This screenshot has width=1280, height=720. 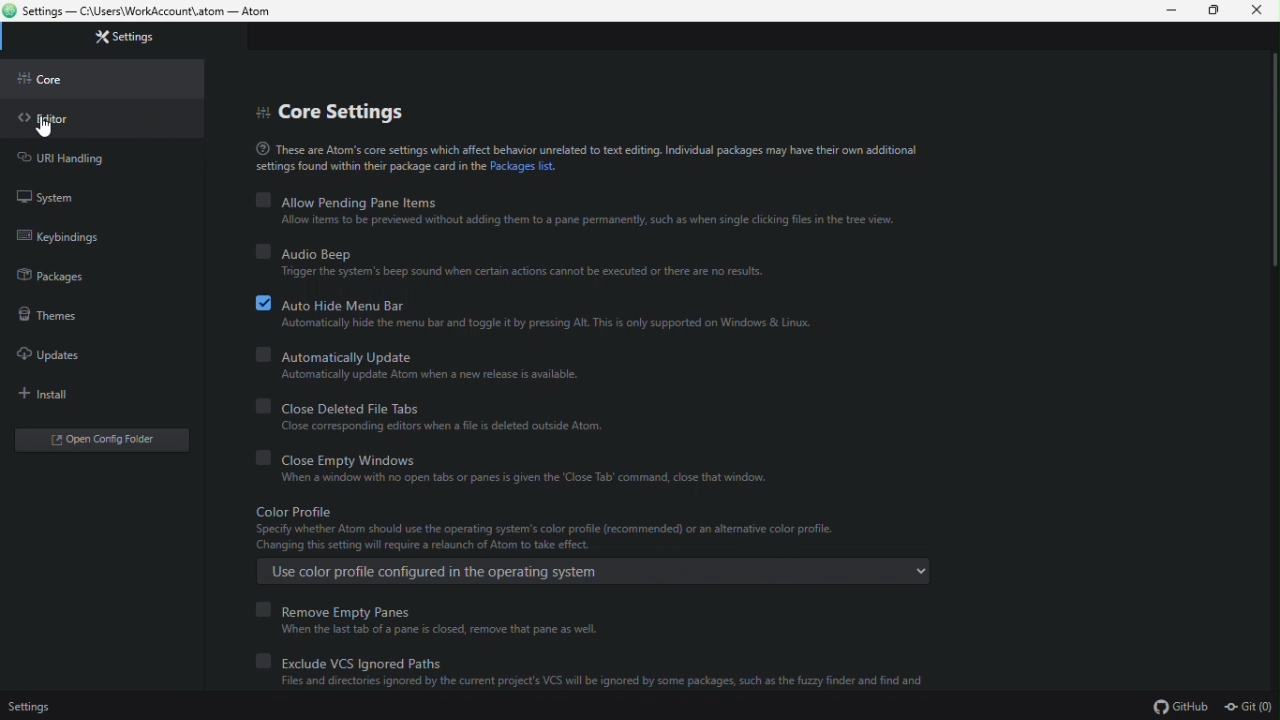 What do you see at coordinates (573, 407) in the screenshot?
I see `close deleted files tabs` at bounding box center [573, 407].